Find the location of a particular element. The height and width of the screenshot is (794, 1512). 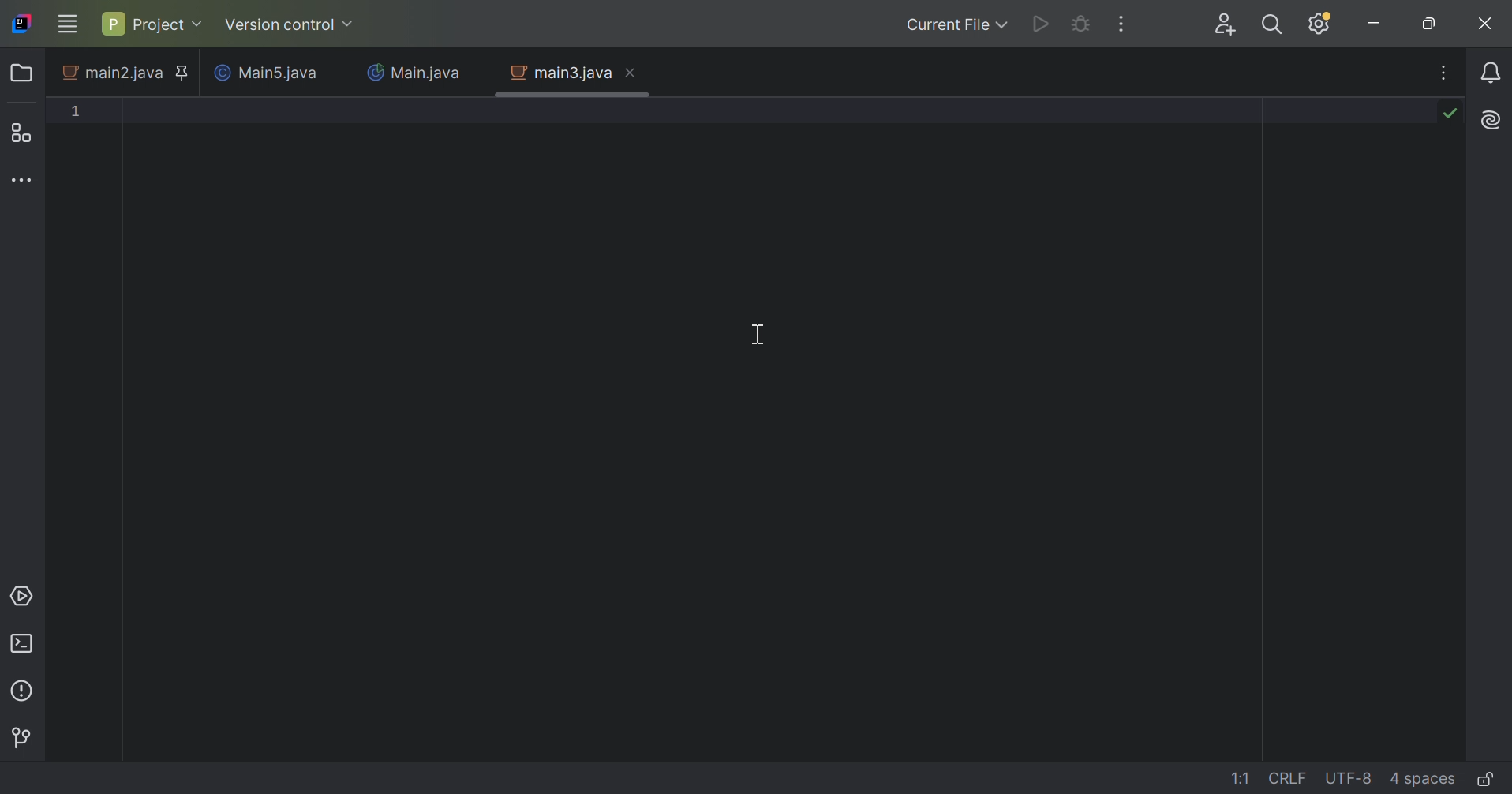

More actions is located at coordinates (1123, 24).